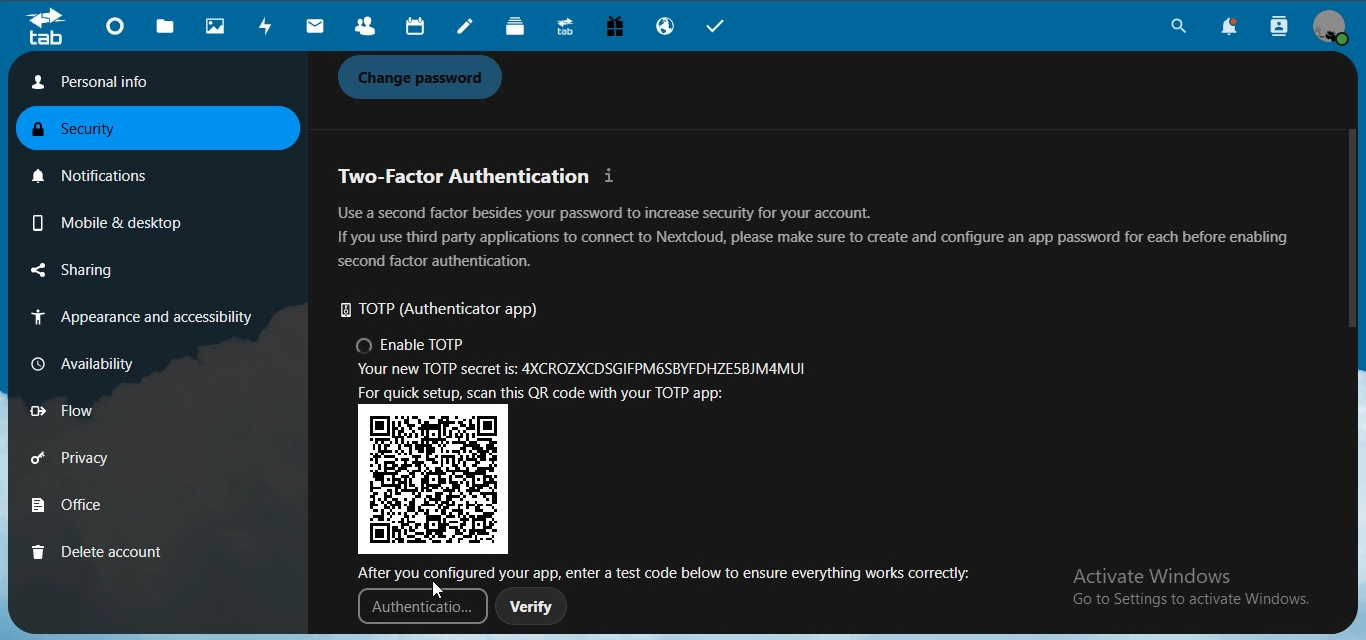 The width and height of the screenshot is (1366, 640). Describe the element at coordinates (1280, 27) in the screenshot. I see `search contacts` at that location.